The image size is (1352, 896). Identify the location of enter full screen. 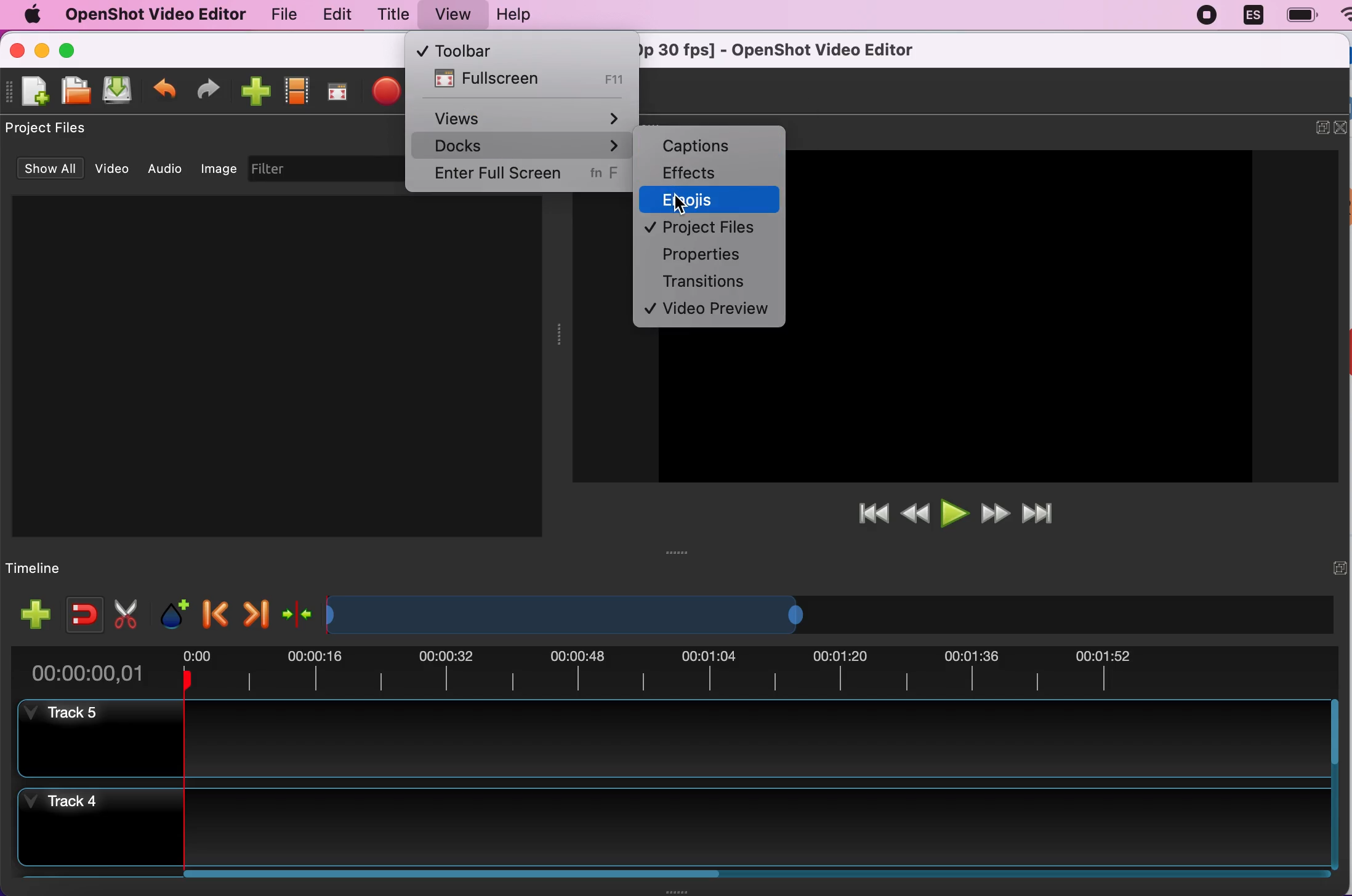
(524, 177).